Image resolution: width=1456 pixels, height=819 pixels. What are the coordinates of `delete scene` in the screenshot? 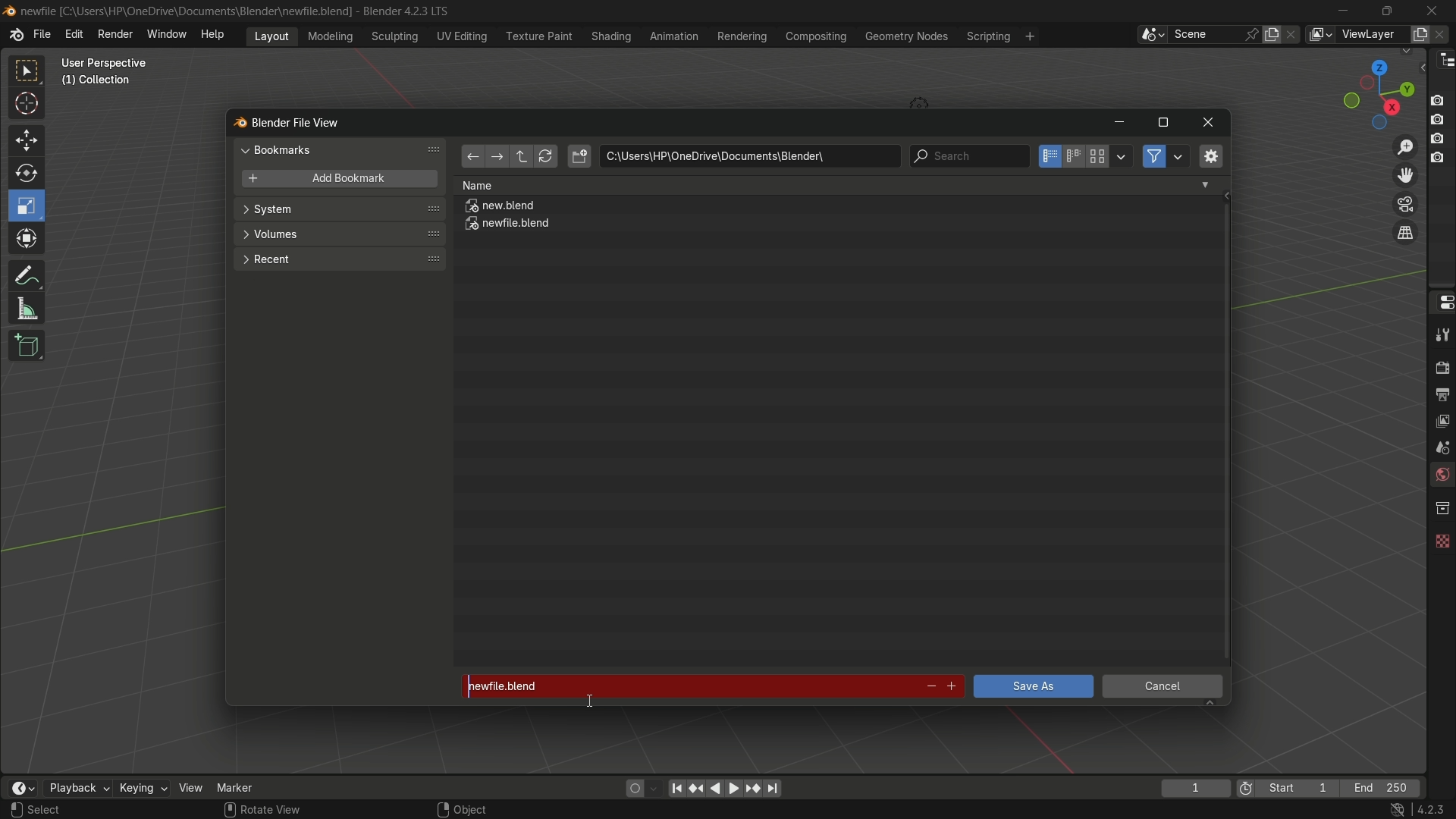 It's located at (1293, 34).